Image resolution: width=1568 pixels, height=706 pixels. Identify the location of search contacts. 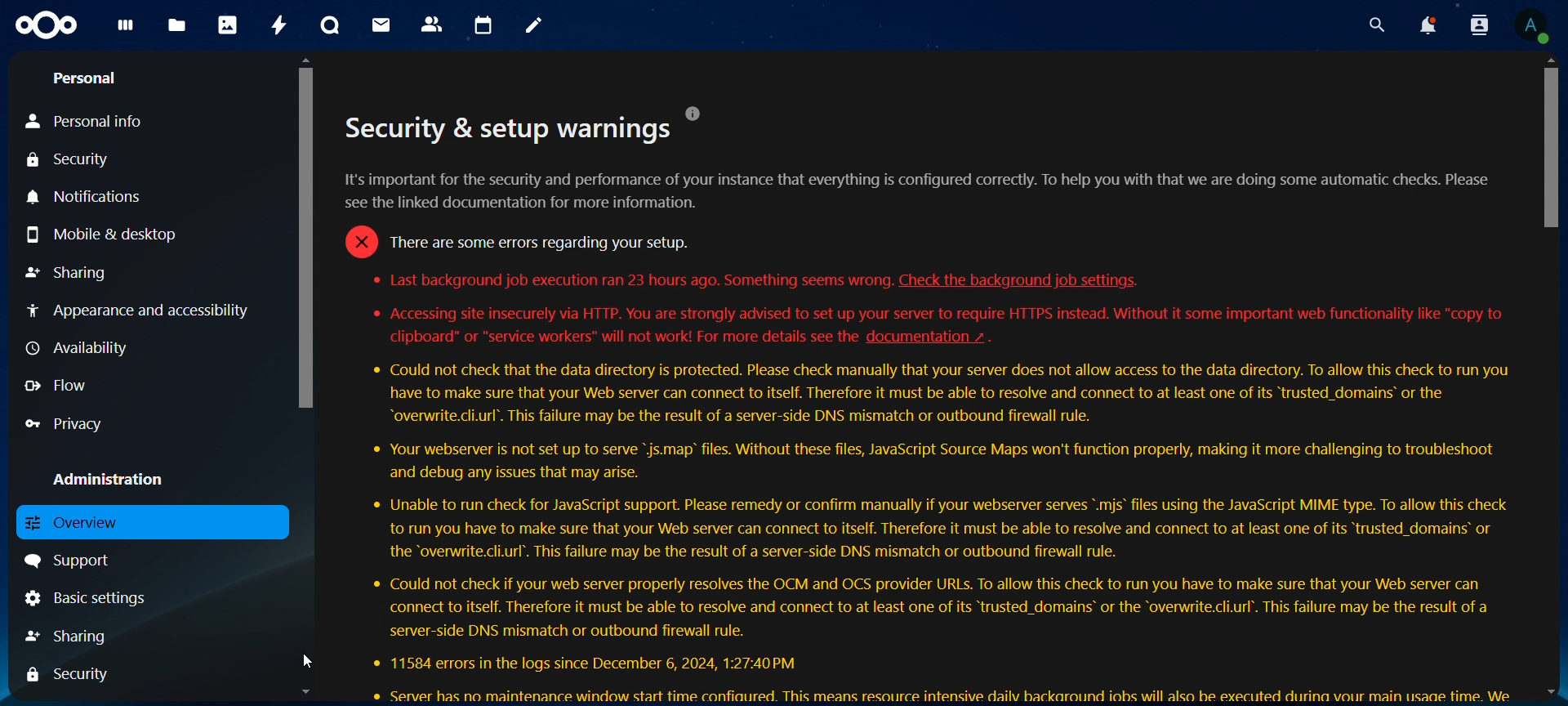
(1480, 26).